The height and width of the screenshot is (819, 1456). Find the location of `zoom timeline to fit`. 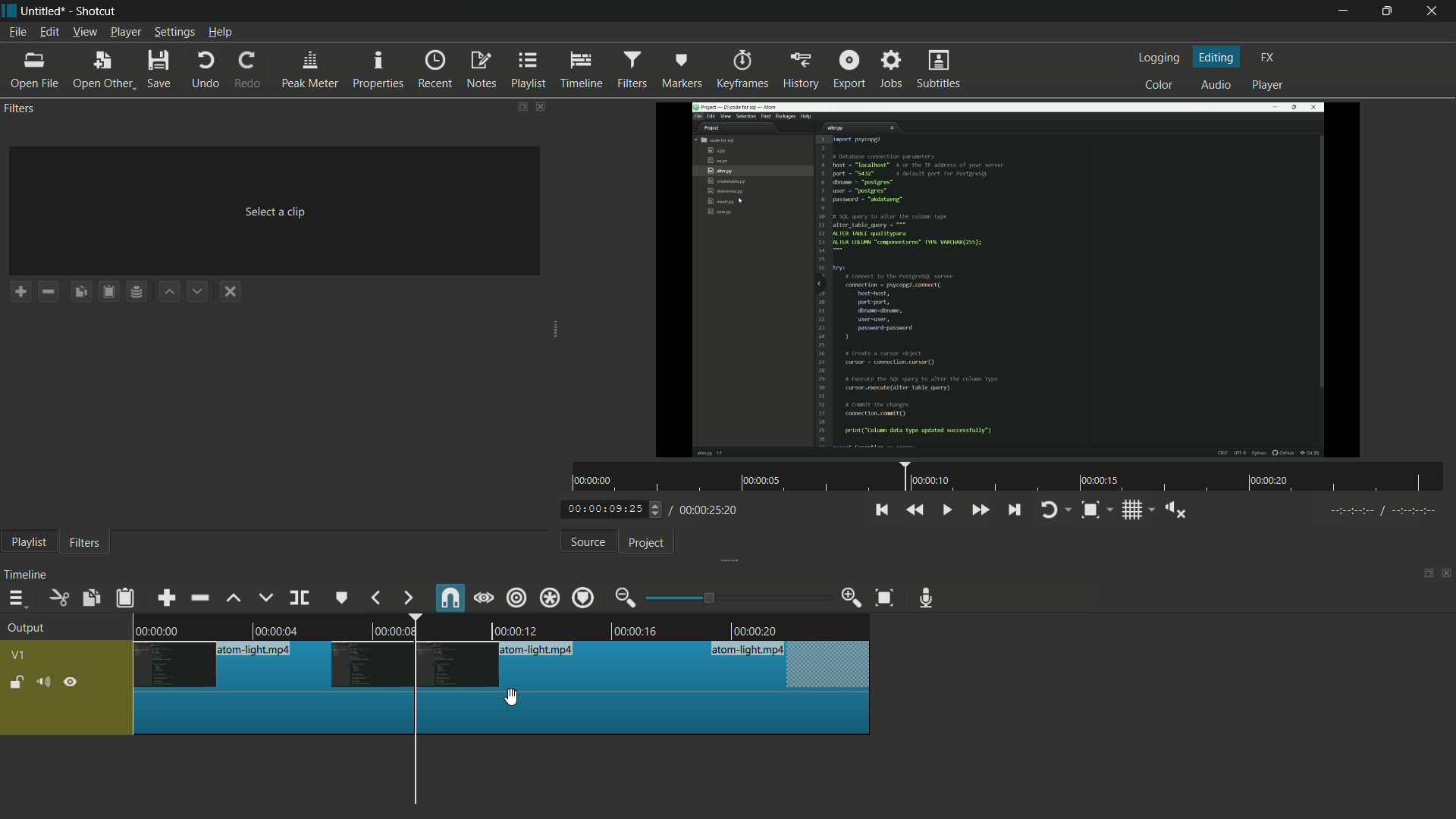

zoom timeline to fit is located at coordinates (885, 599).